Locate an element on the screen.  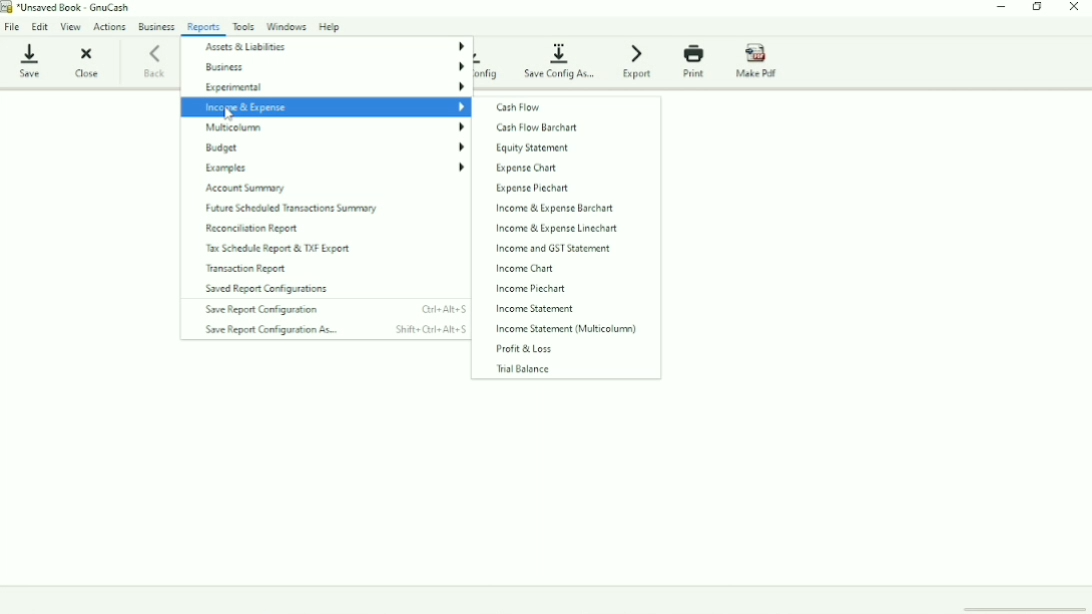
Save is located at coordinates (29, 58).